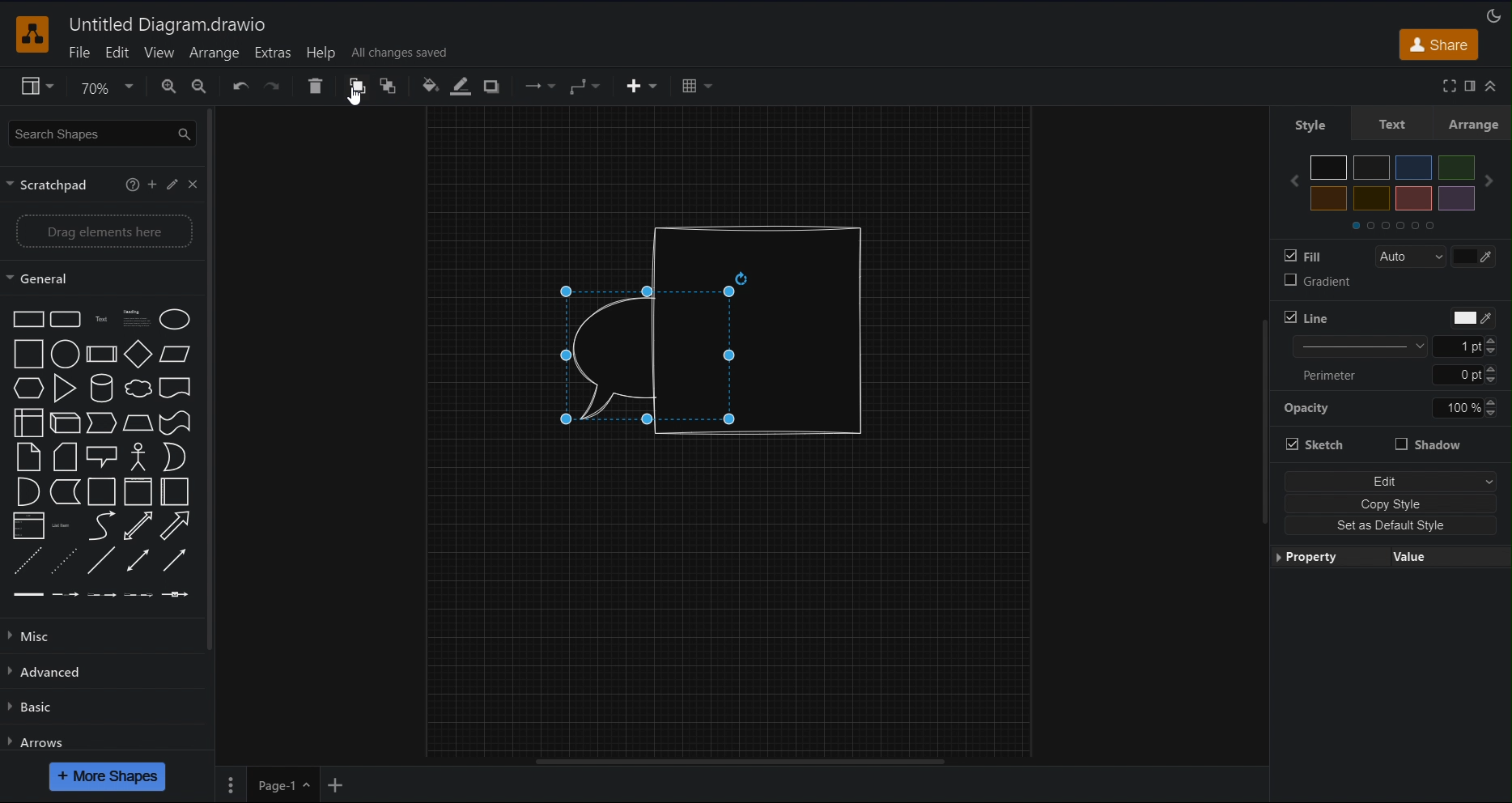 The image size is (1512, 803). Describe the element at coordinates (1491, 407) in the screenshot. I see `Increase/Decrease line thickness` at that location.